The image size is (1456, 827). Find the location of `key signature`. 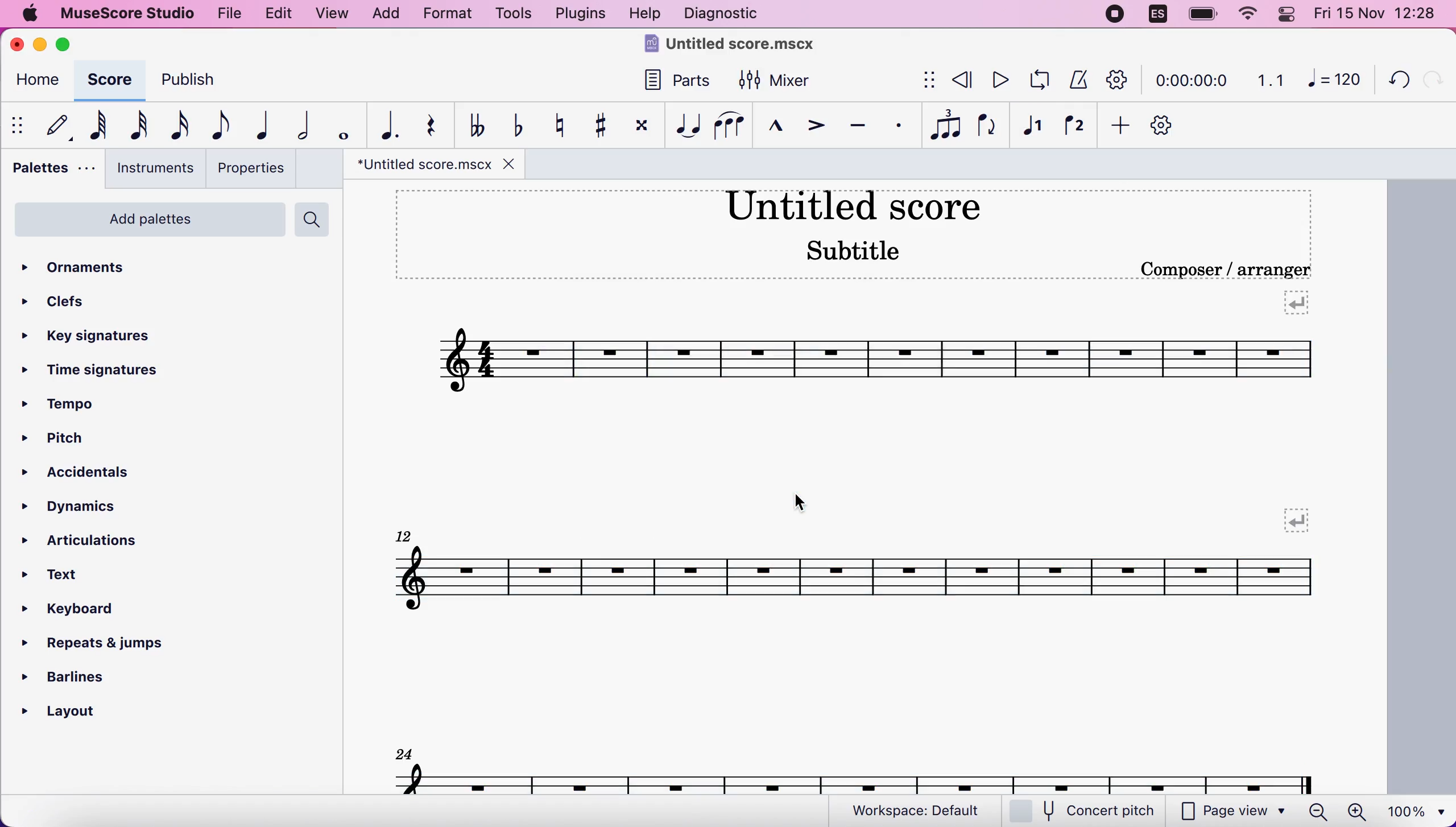

key signature is located at coordinates (99, 337).